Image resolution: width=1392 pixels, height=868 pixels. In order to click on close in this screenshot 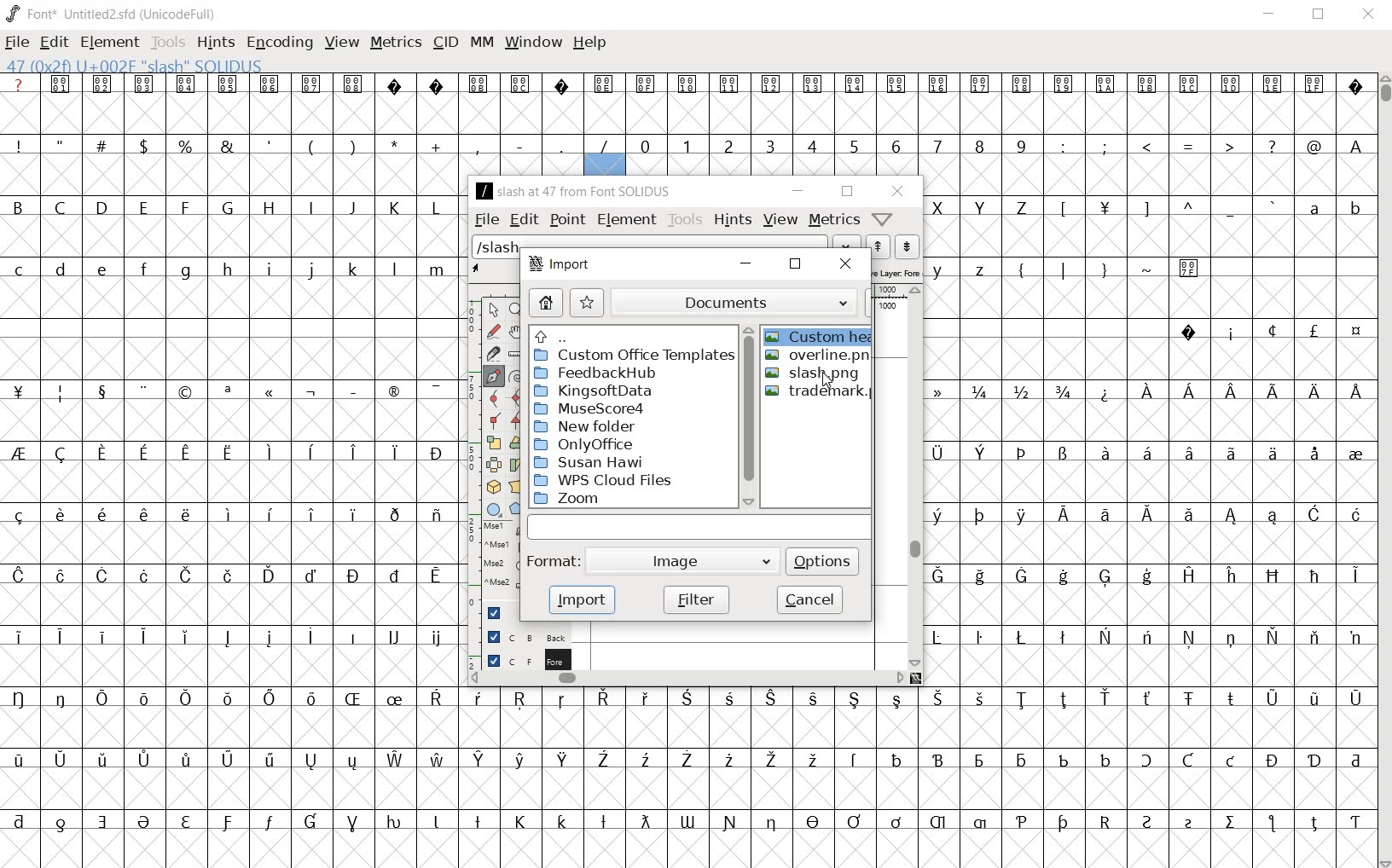, I will do `click(844, 264)`.